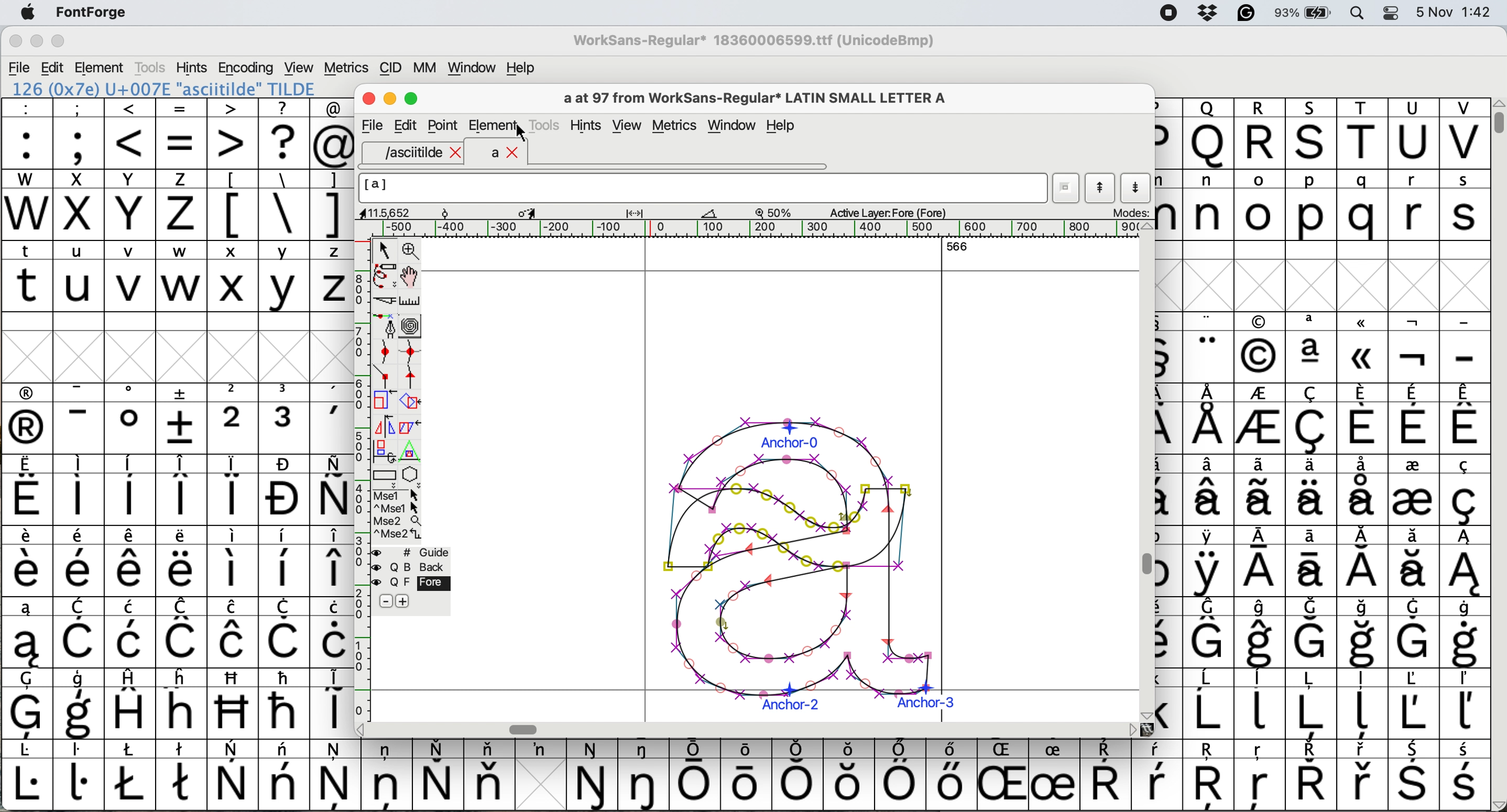  I want to click on W, so click(29, 205).